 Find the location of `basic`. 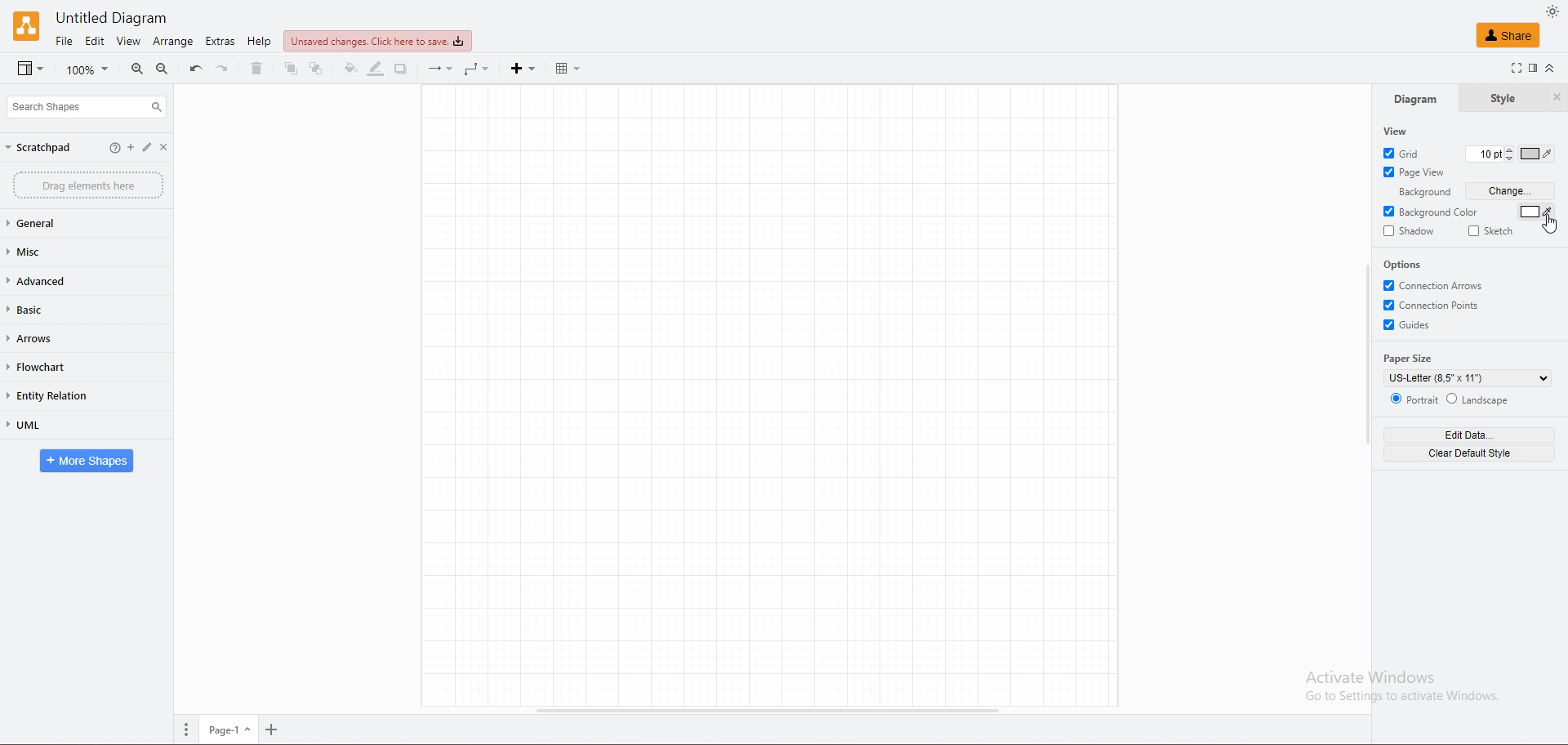

basic is located at coordinates (71, 309).